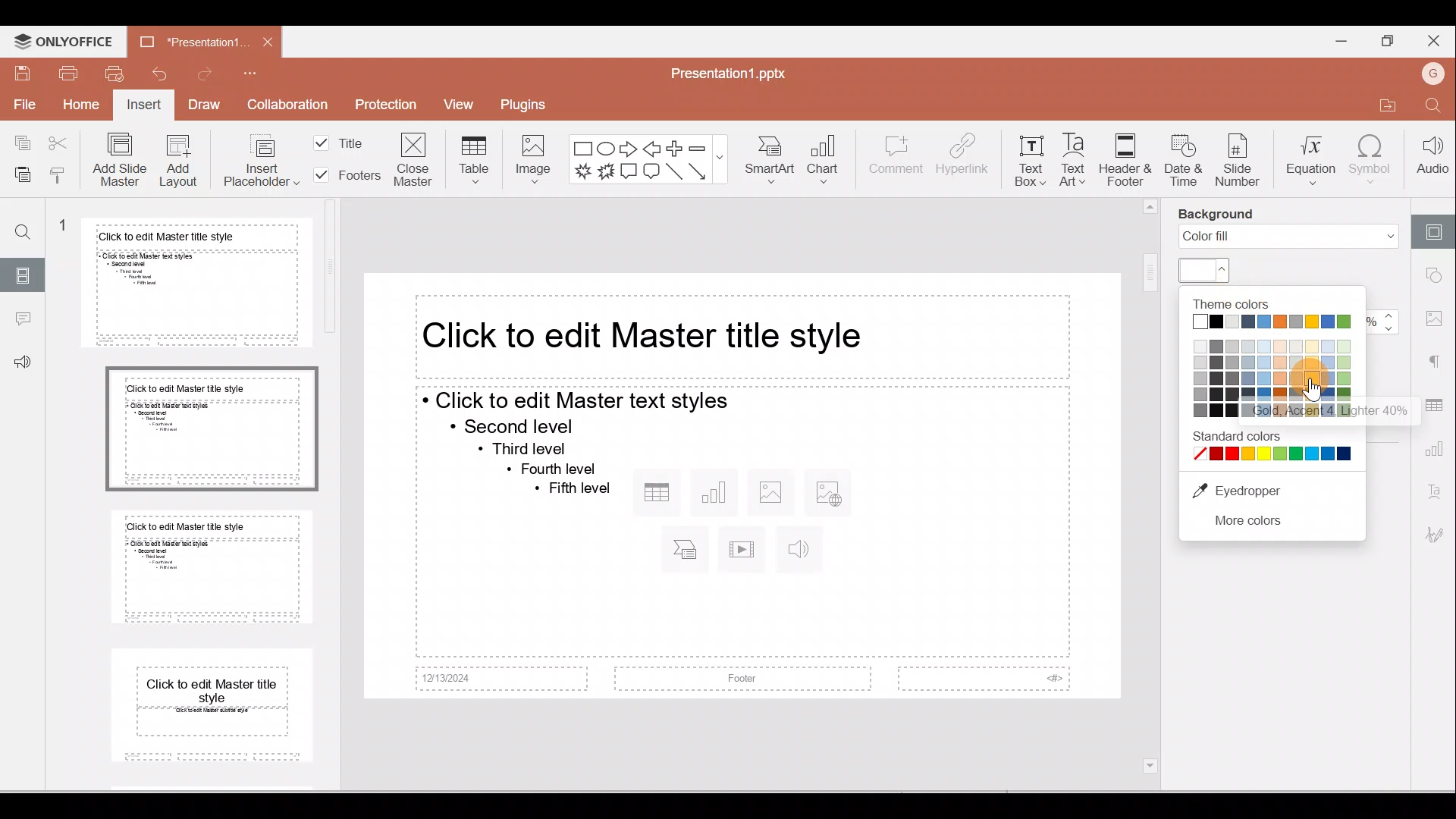  What do you see at coordinates (19, 72) in the screenshot?
I see `Save` at bounding box center [19, 72].